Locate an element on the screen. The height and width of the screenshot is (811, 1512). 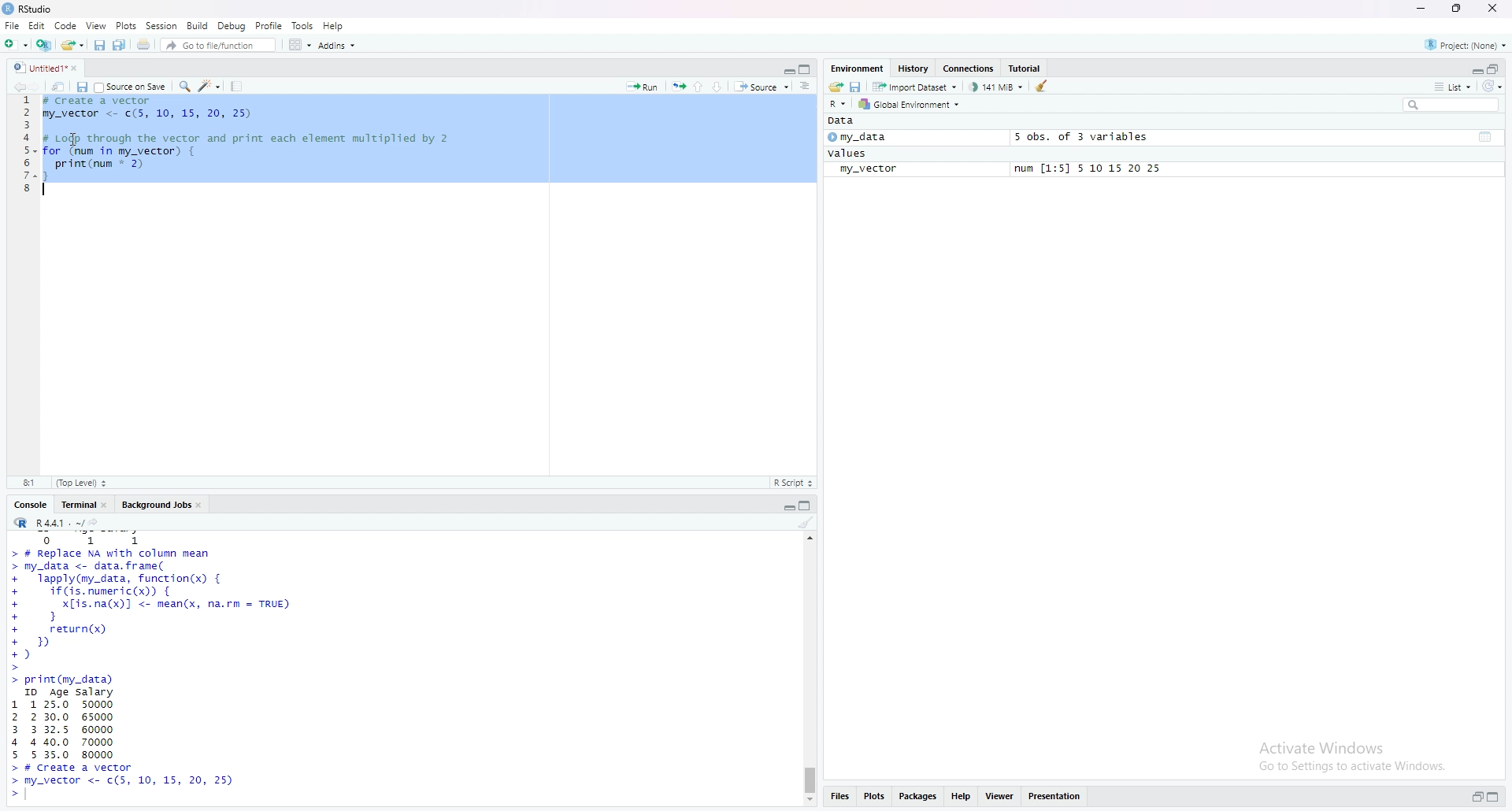
R.4.4.1 is located at coordinates (45, 522).